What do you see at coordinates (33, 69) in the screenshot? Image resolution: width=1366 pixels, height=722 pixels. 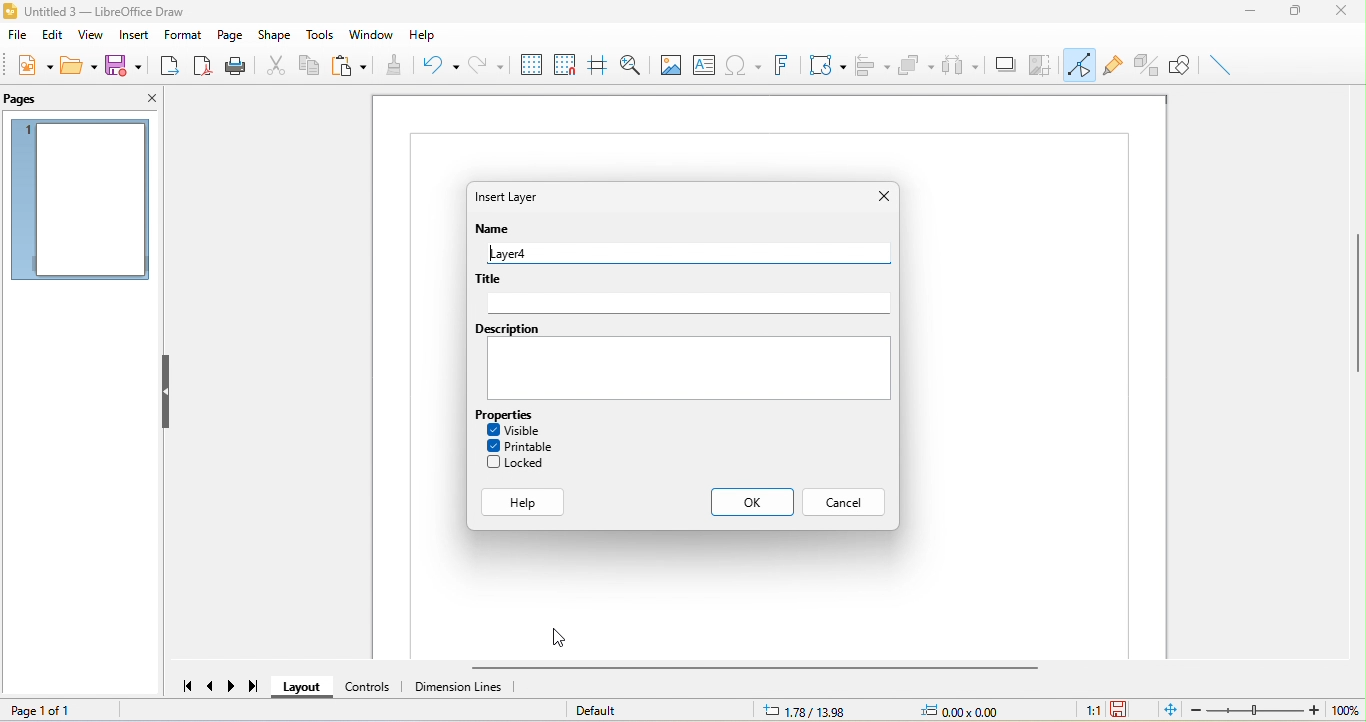 I see `new` at bounding box center [33, 69].